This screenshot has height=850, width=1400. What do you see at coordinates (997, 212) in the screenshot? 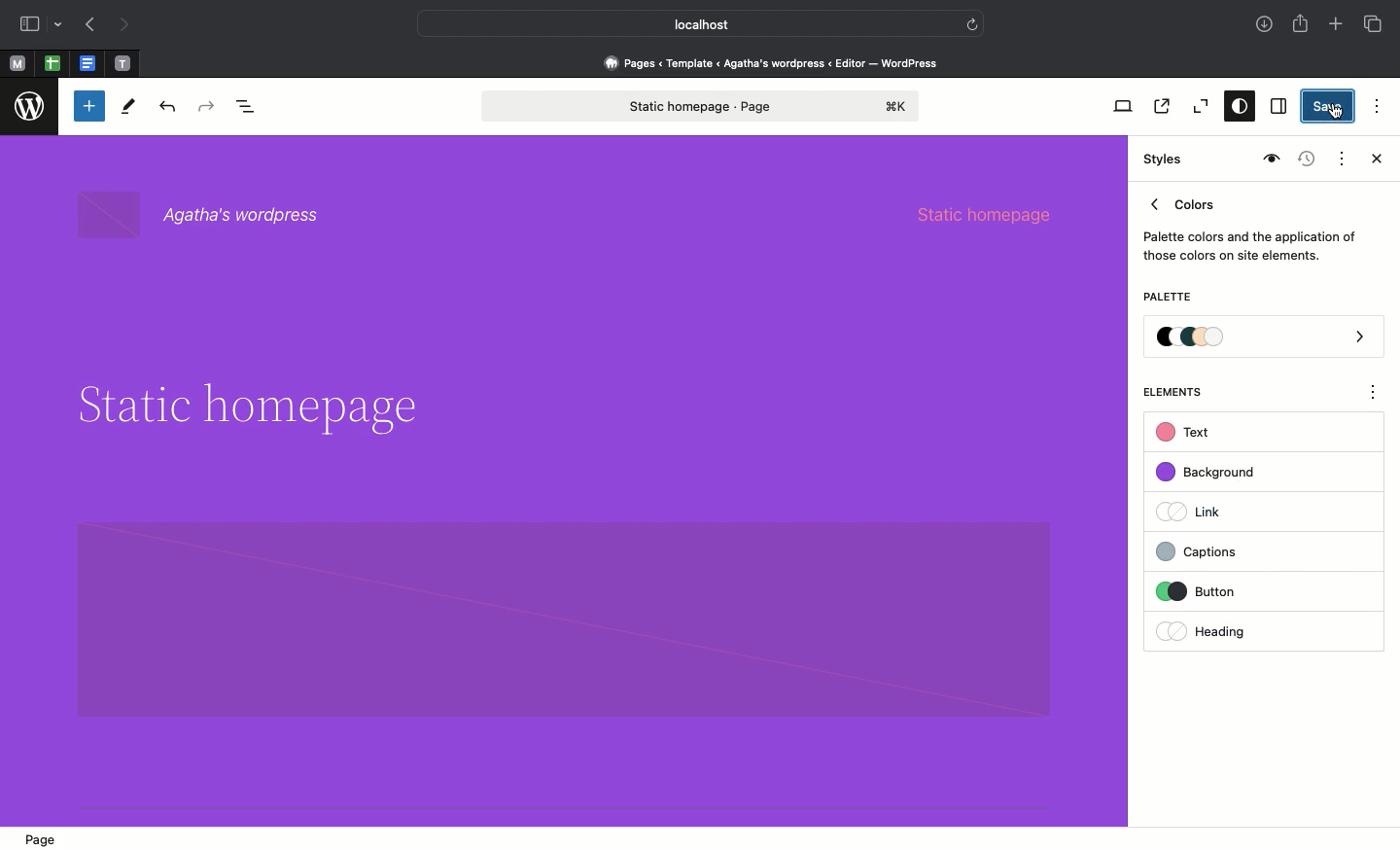
I see `Static homepage` at bounding box center [997, 212].